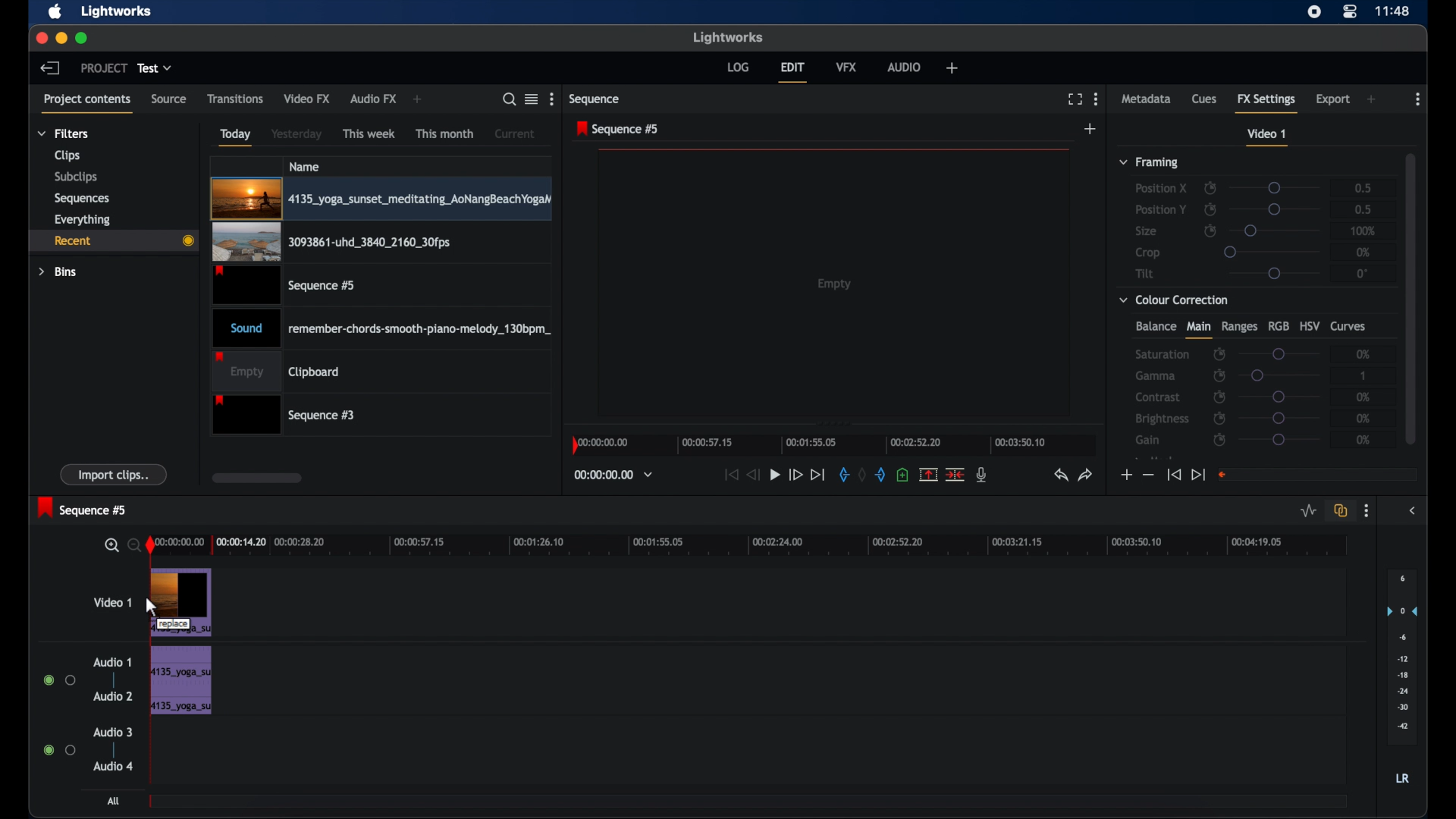 This screenshot has width=1456, height=819. I want to click on audio 1, so click(112, 662).